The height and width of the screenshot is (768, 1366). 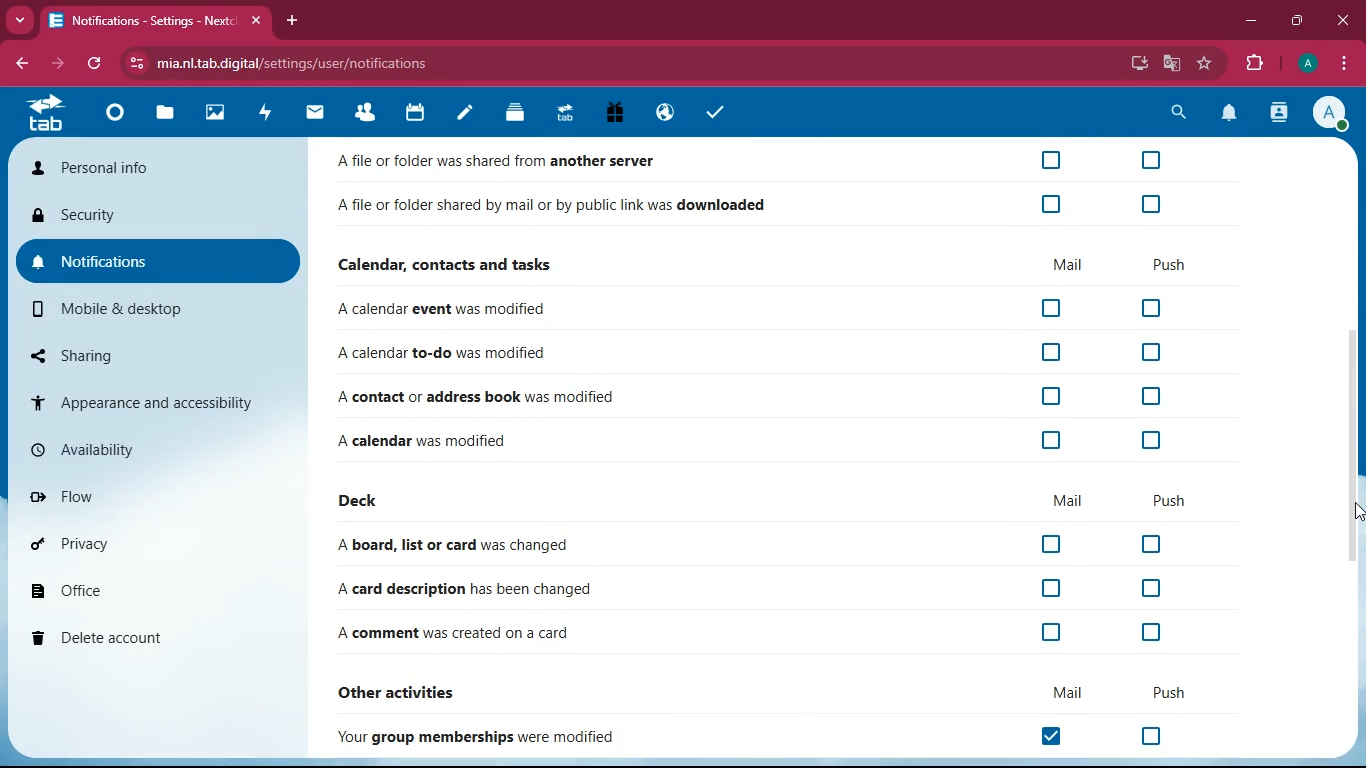 I want to click on google translate, so click(x=1172, y=63).